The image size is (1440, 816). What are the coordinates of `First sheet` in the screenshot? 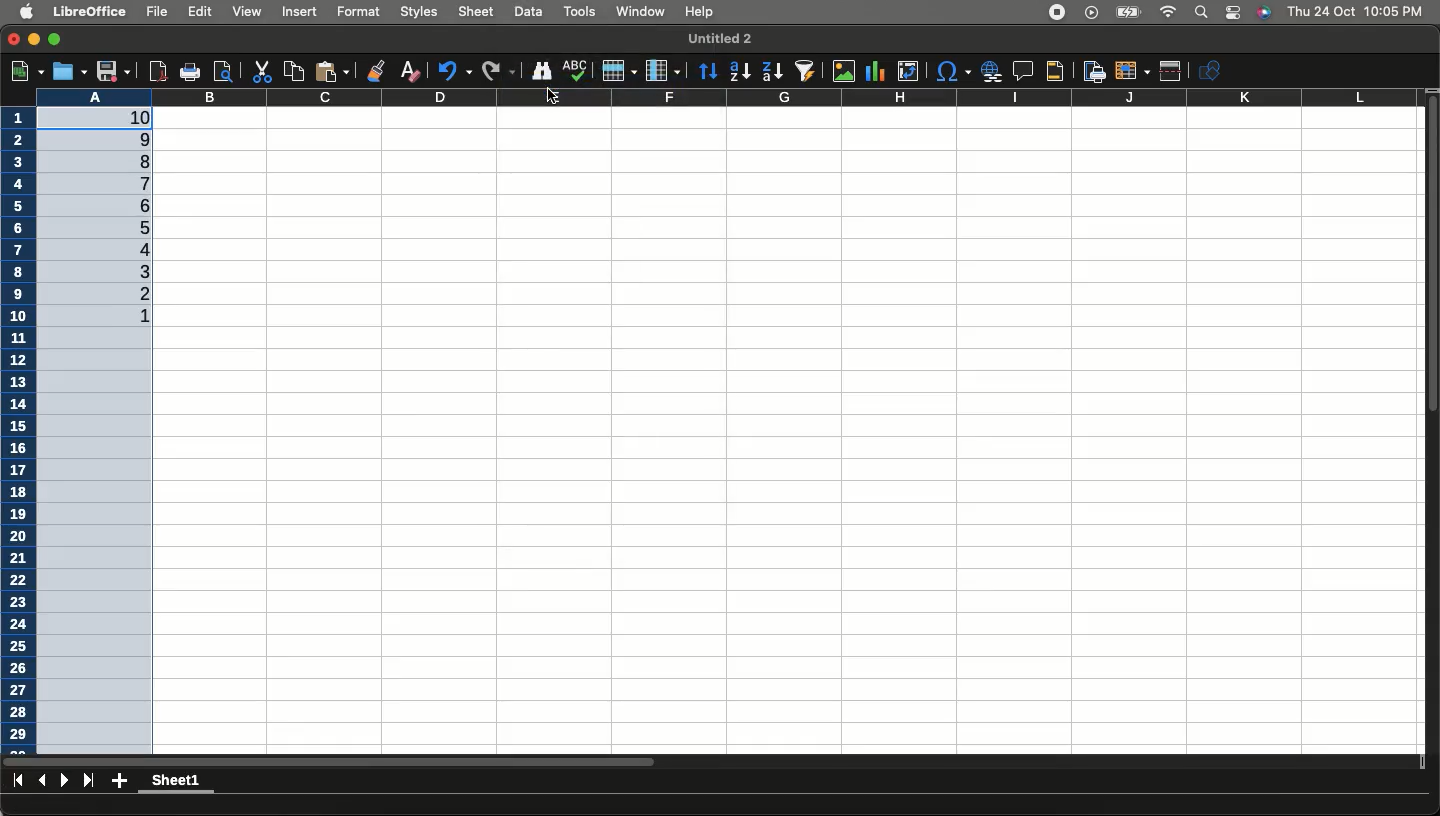 It's located at (16, 783).